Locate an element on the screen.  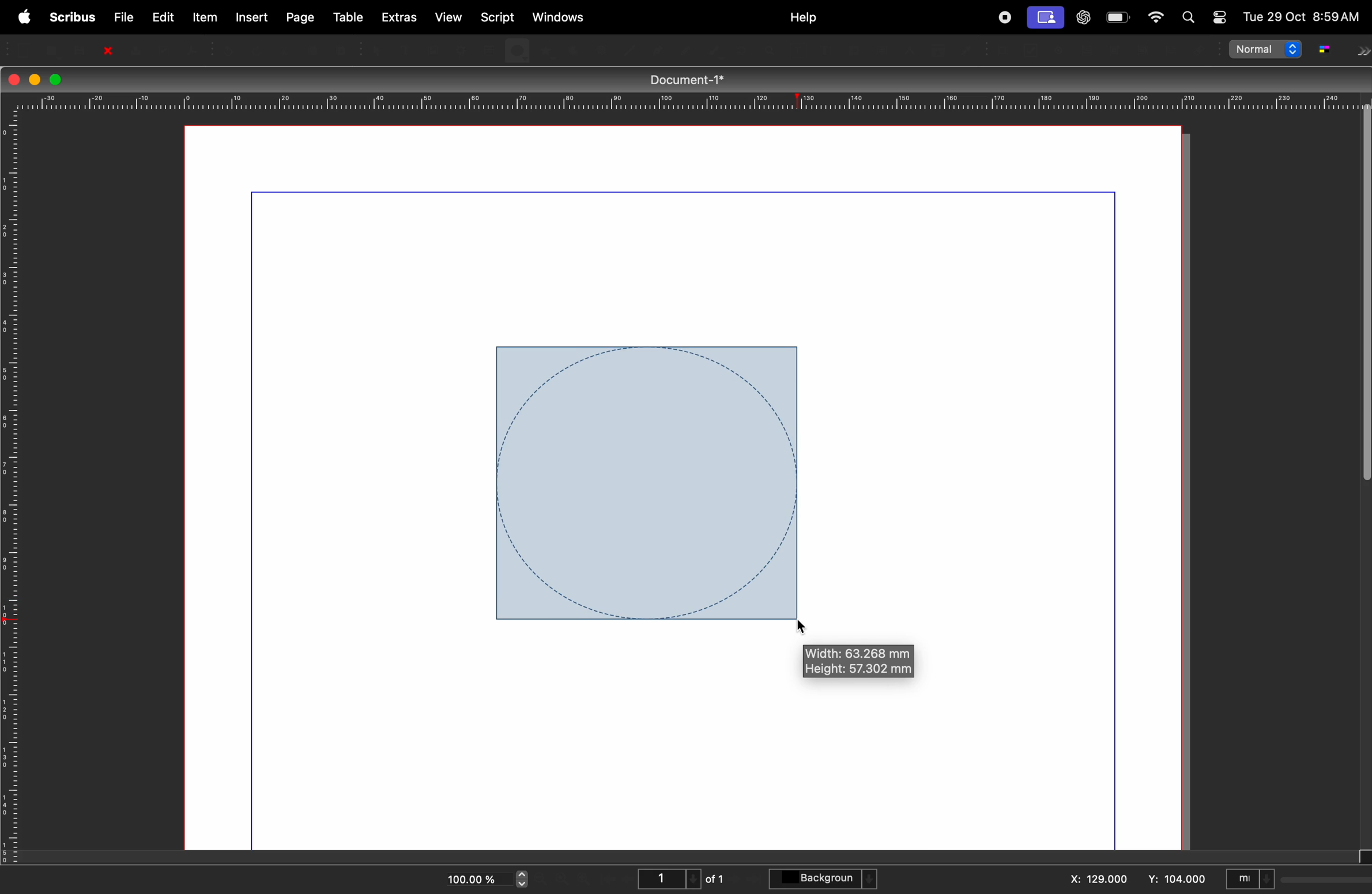
Redo is located at coordinates (258, 48).